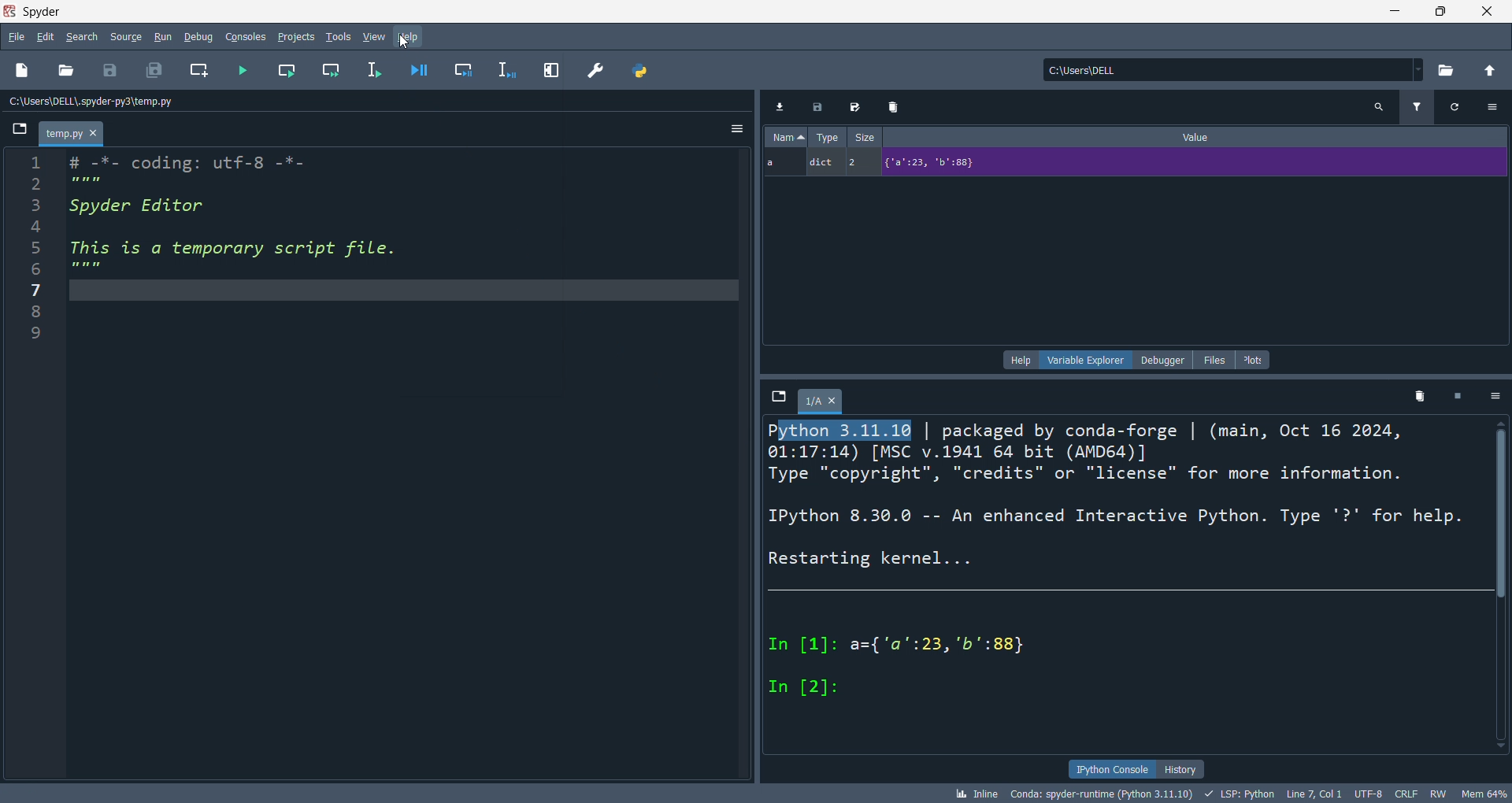 The image size is (1512, 803). Describe the element at coordinates (1446, 71) in the screenshot. I see `open directory` at that location.